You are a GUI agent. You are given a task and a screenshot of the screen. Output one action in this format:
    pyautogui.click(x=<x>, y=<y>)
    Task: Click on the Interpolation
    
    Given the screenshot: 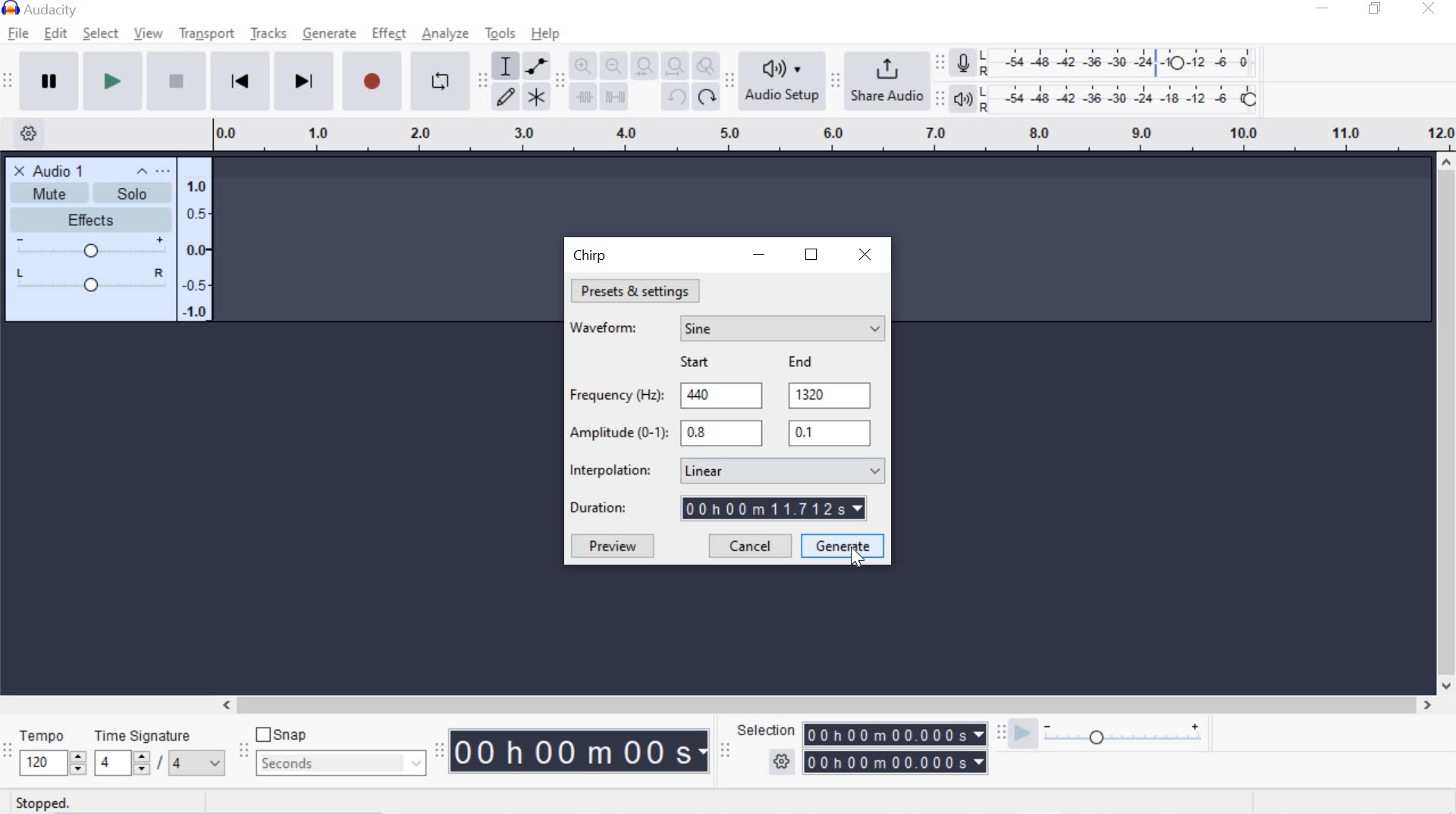 What is the action you would take?
    pyautogui.click(x=610, y=471)
    